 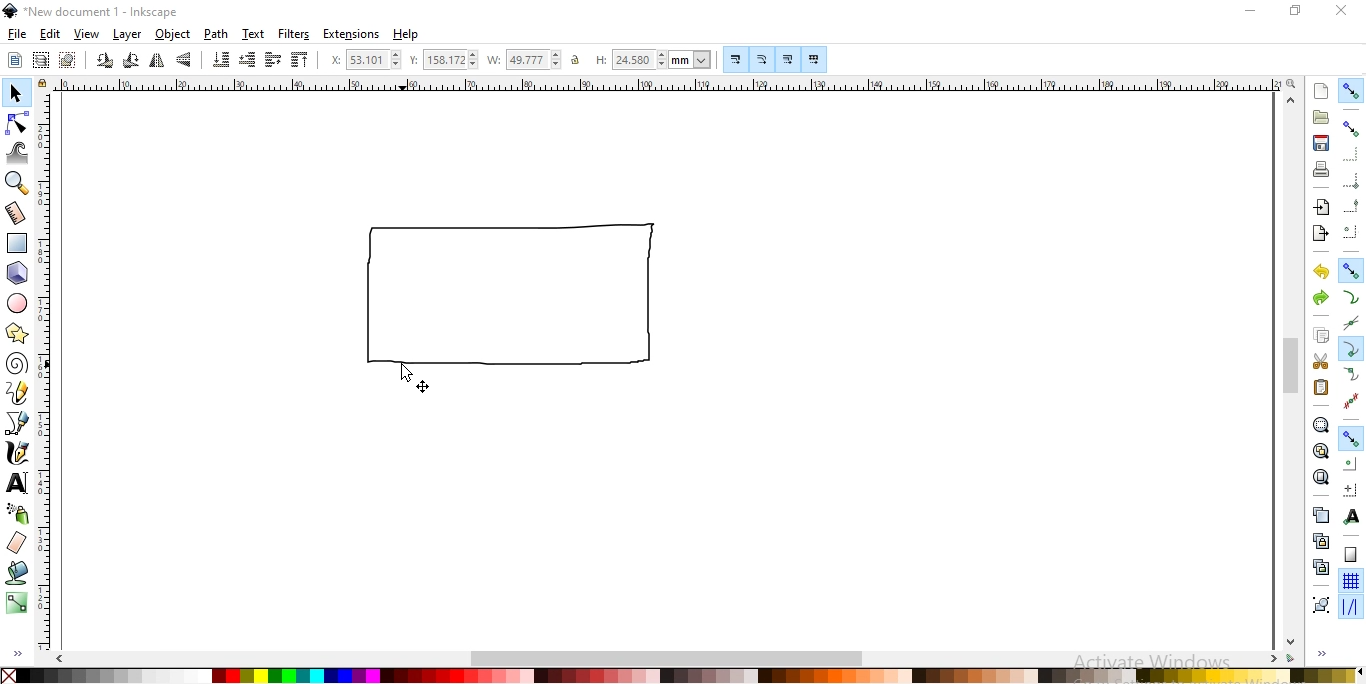 I want to click on ruler, so click(x=666, y=86).